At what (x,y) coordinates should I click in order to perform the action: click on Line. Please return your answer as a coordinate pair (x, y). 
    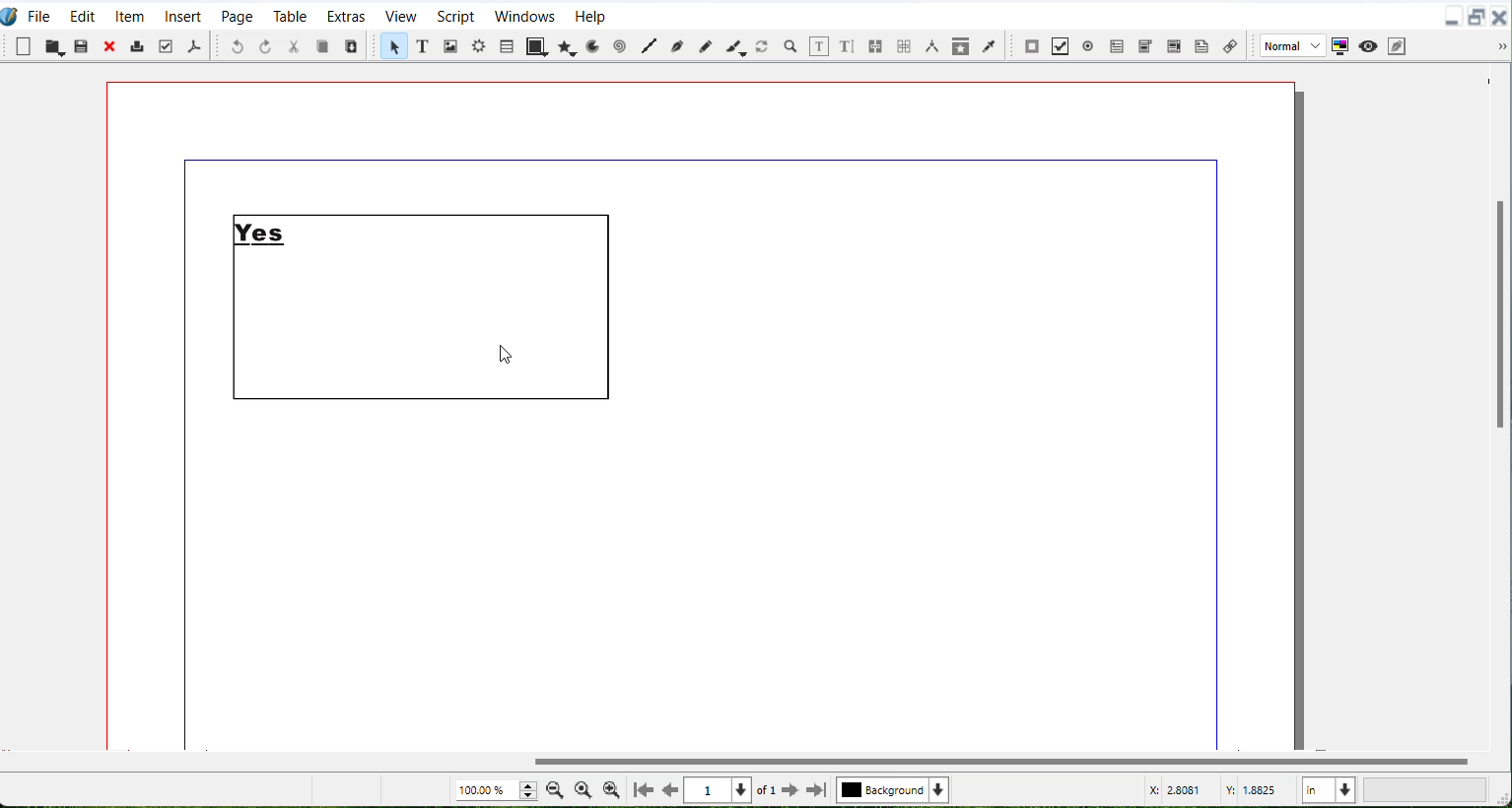
    Looking at the image, I should click on (648, 47).